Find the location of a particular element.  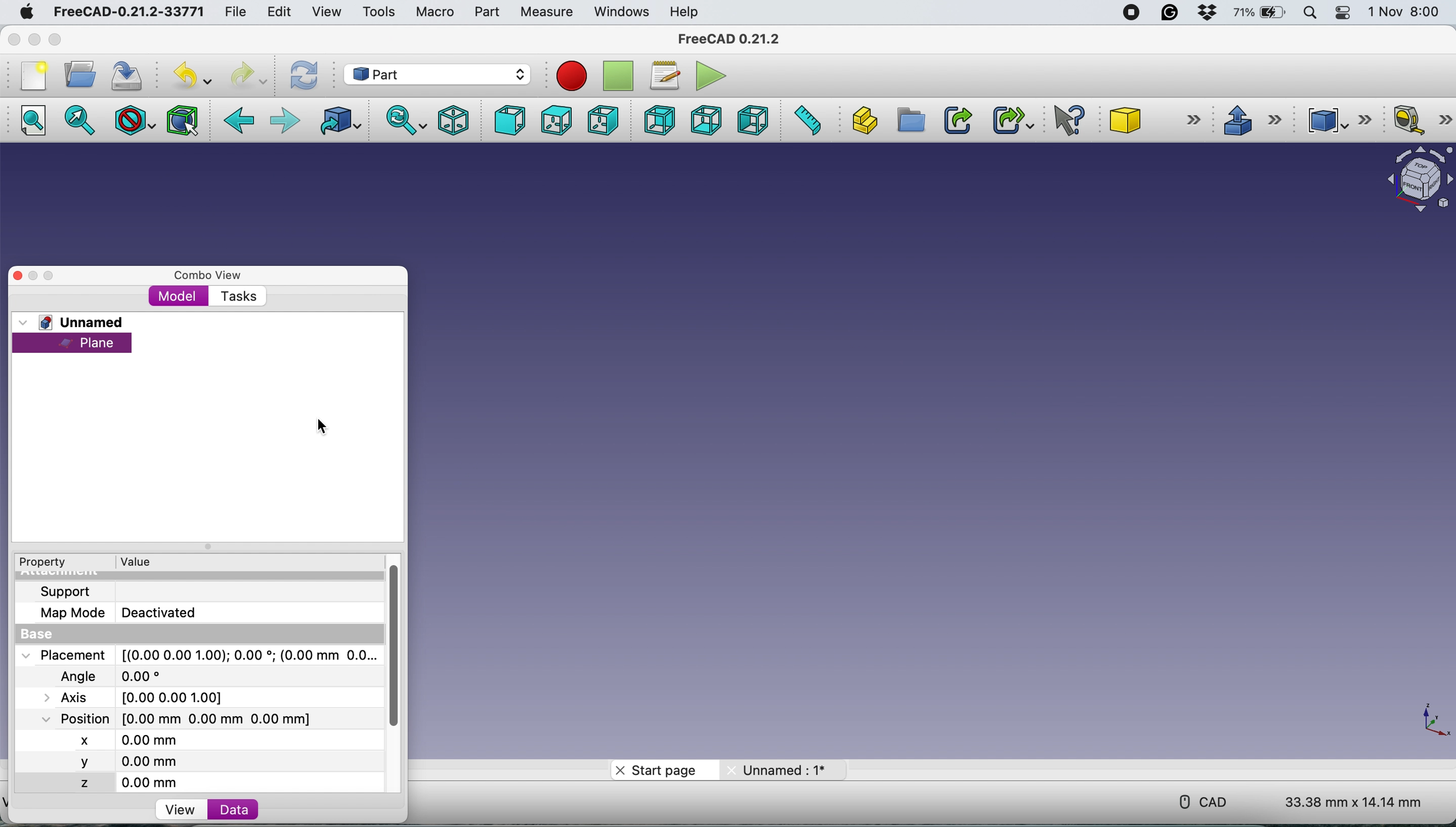

Angle 0.00* is located at coordinates (113, 677).